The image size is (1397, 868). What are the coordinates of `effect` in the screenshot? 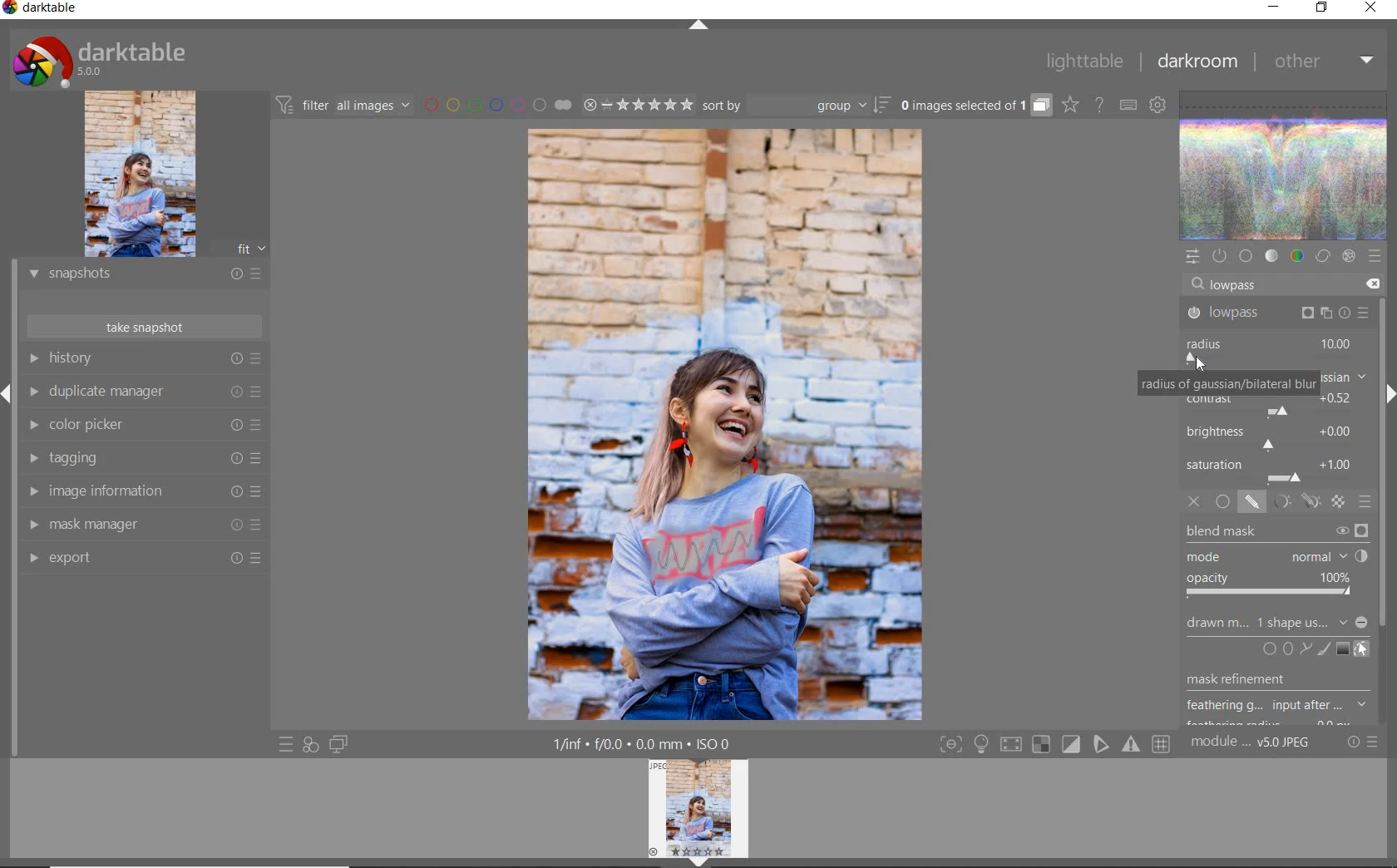 It's located at (1346, 257).